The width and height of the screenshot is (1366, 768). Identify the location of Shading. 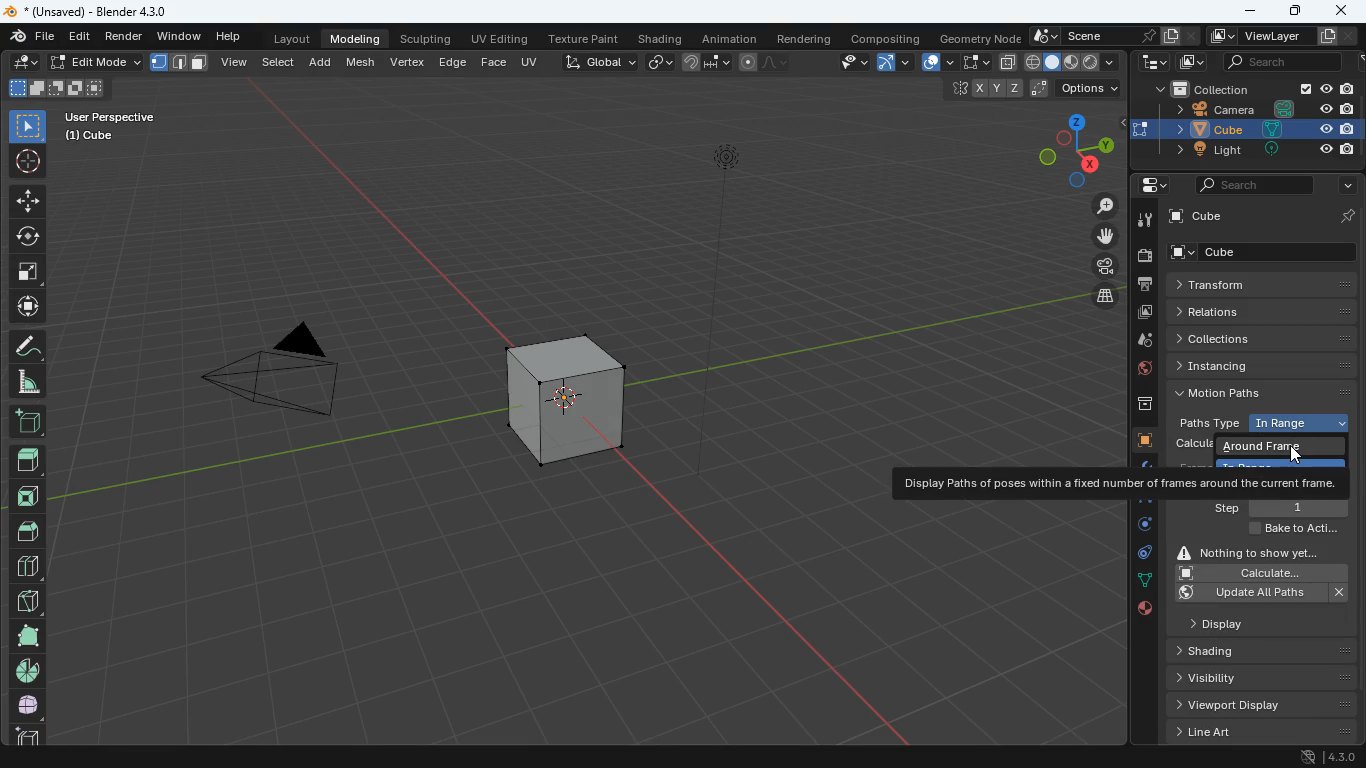
(1223, 650).